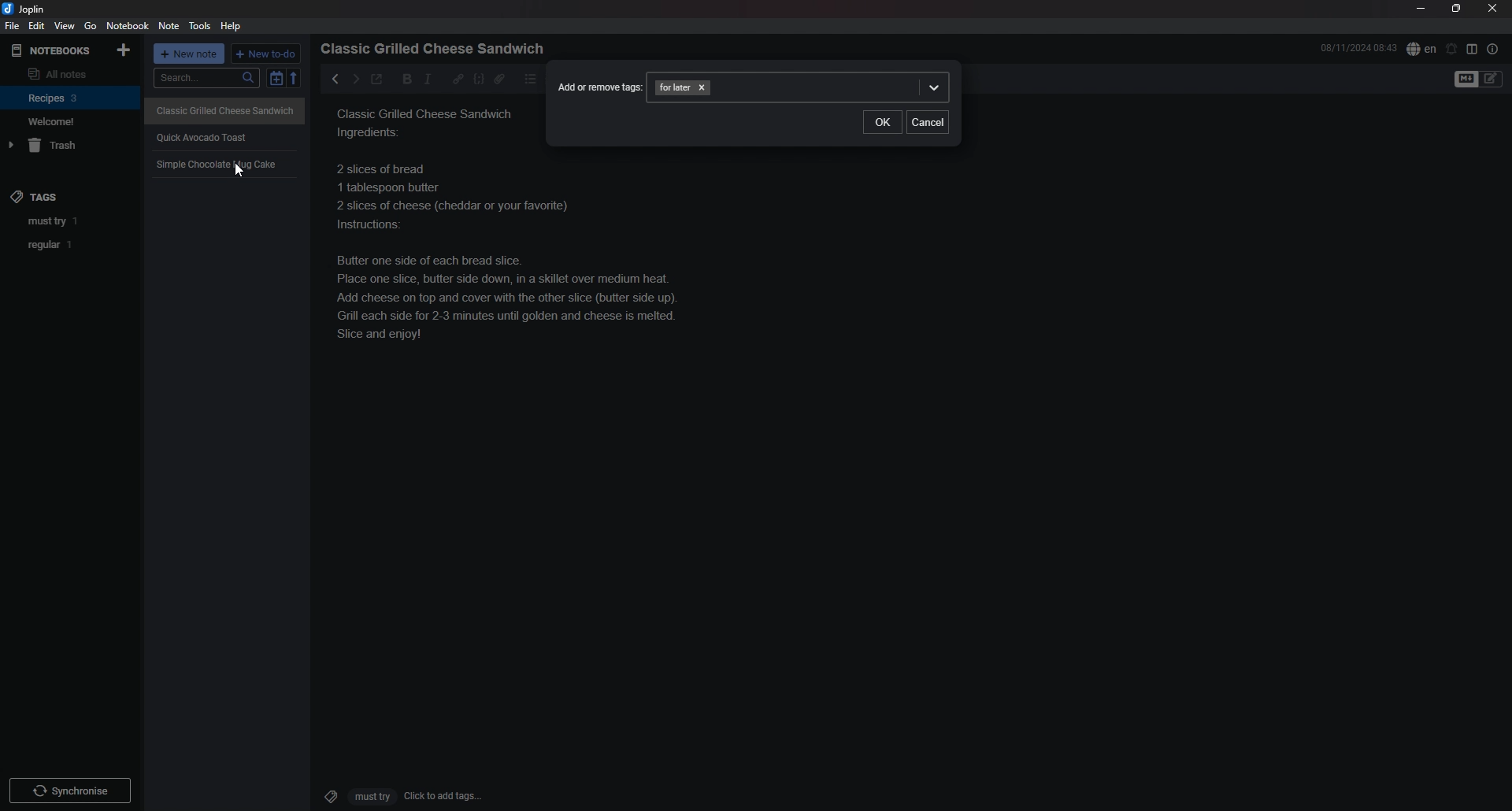  What do you see at coordinates (928, 123) in the screenshot?
I see `cancel` at bounding box center [928, 123].